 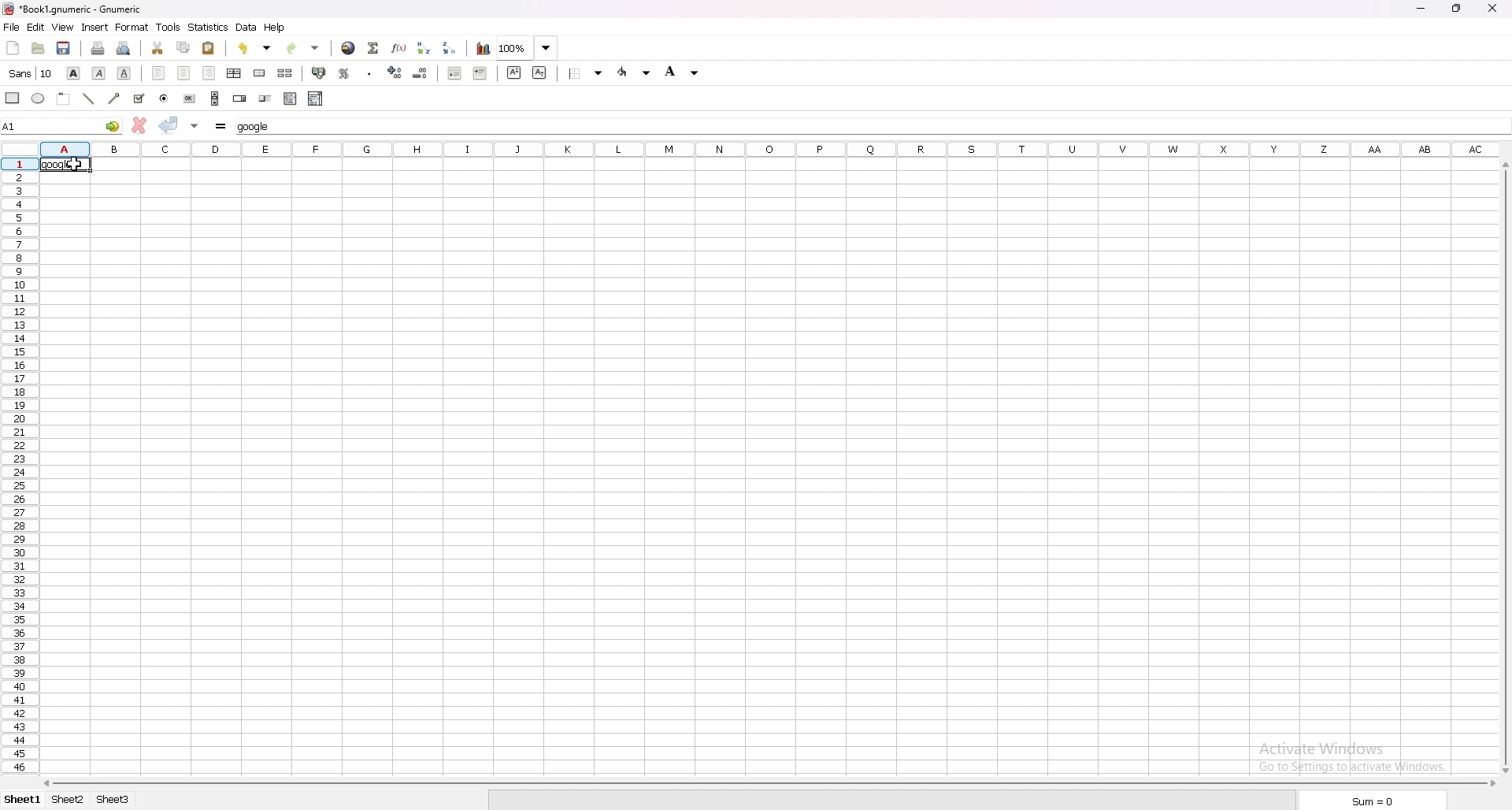 What do you see at coordinates (40, 48) in the screenshot?
I see `open` at bounding box center [40, 48].